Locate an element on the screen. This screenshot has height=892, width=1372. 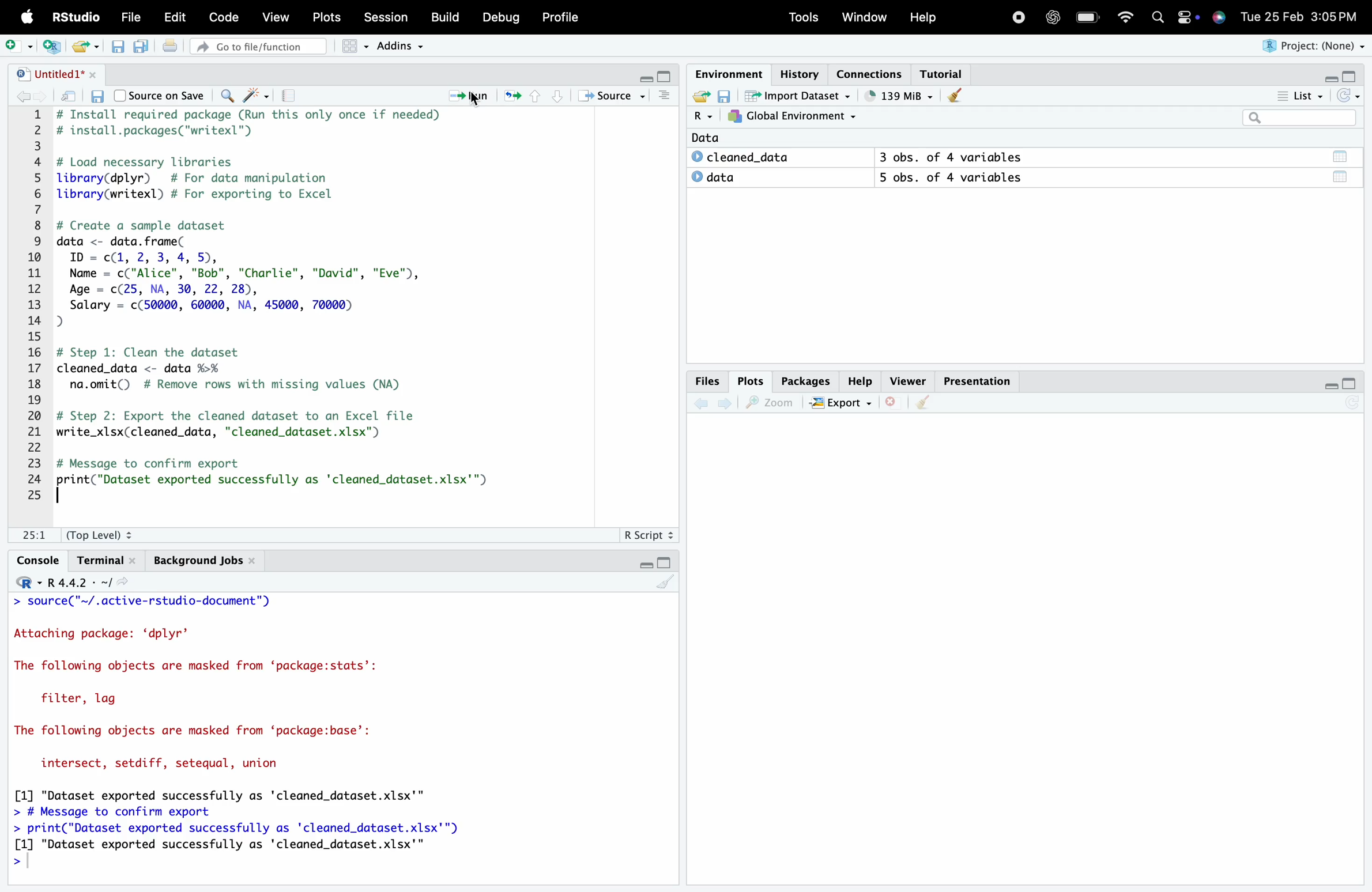
Files is located at coordinates (708, 380).